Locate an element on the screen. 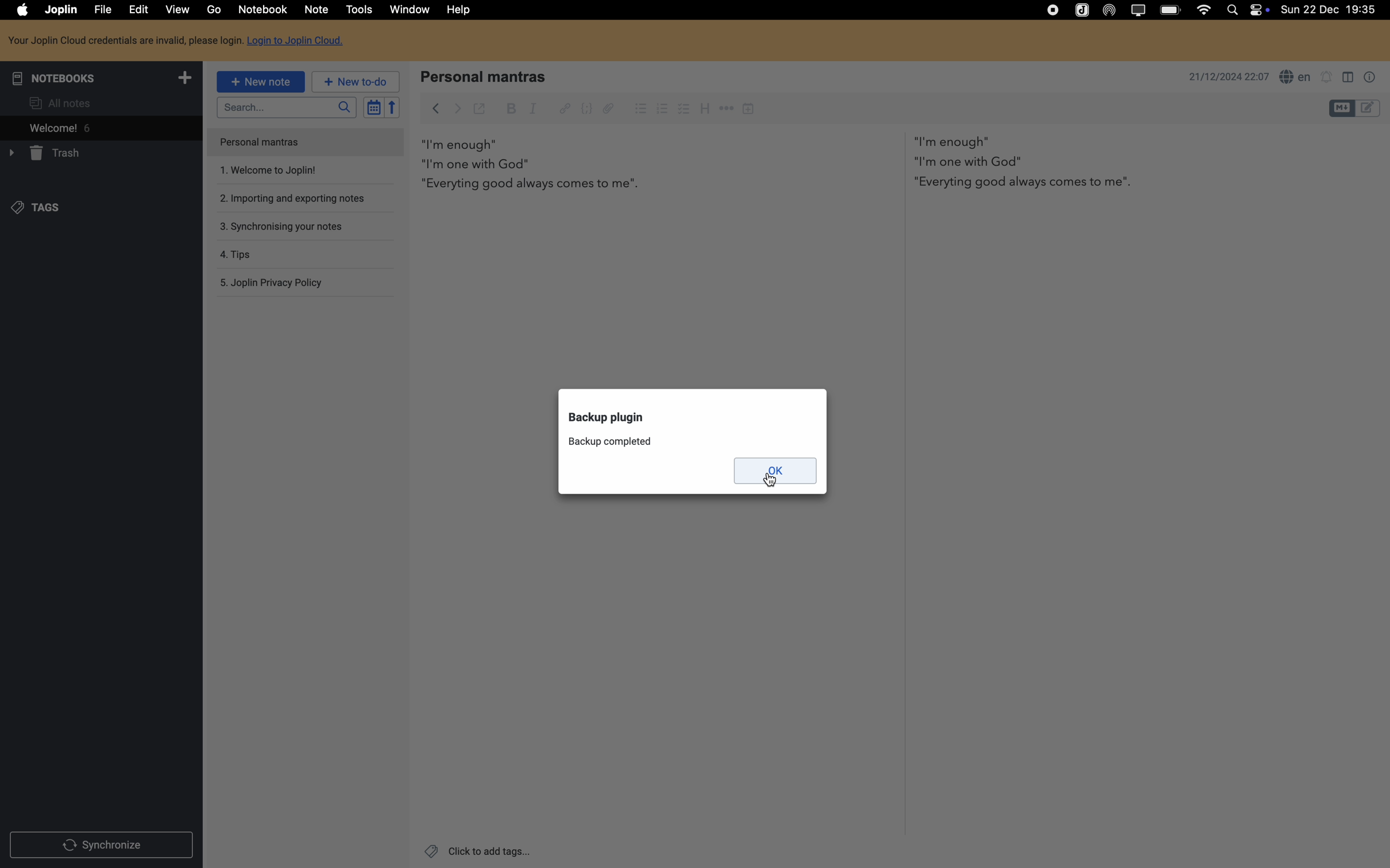 This screenshot has height=868, width=1390. all notes is located at coordinates (61, 103).